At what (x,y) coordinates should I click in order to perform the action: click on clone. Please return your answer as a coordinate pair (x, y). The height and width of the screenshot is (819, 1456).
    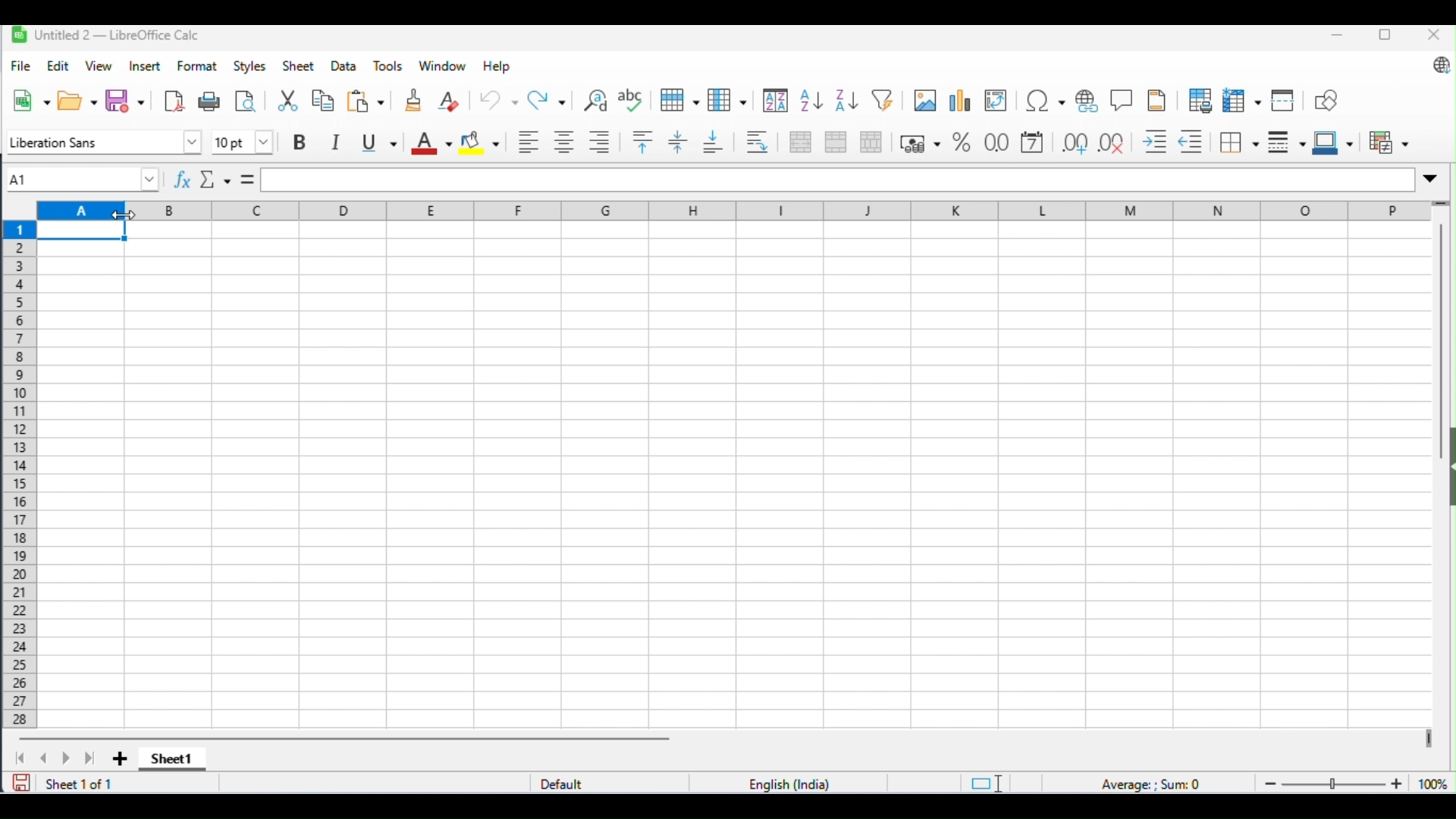
    Looking at the image, I should click on (414, 99).